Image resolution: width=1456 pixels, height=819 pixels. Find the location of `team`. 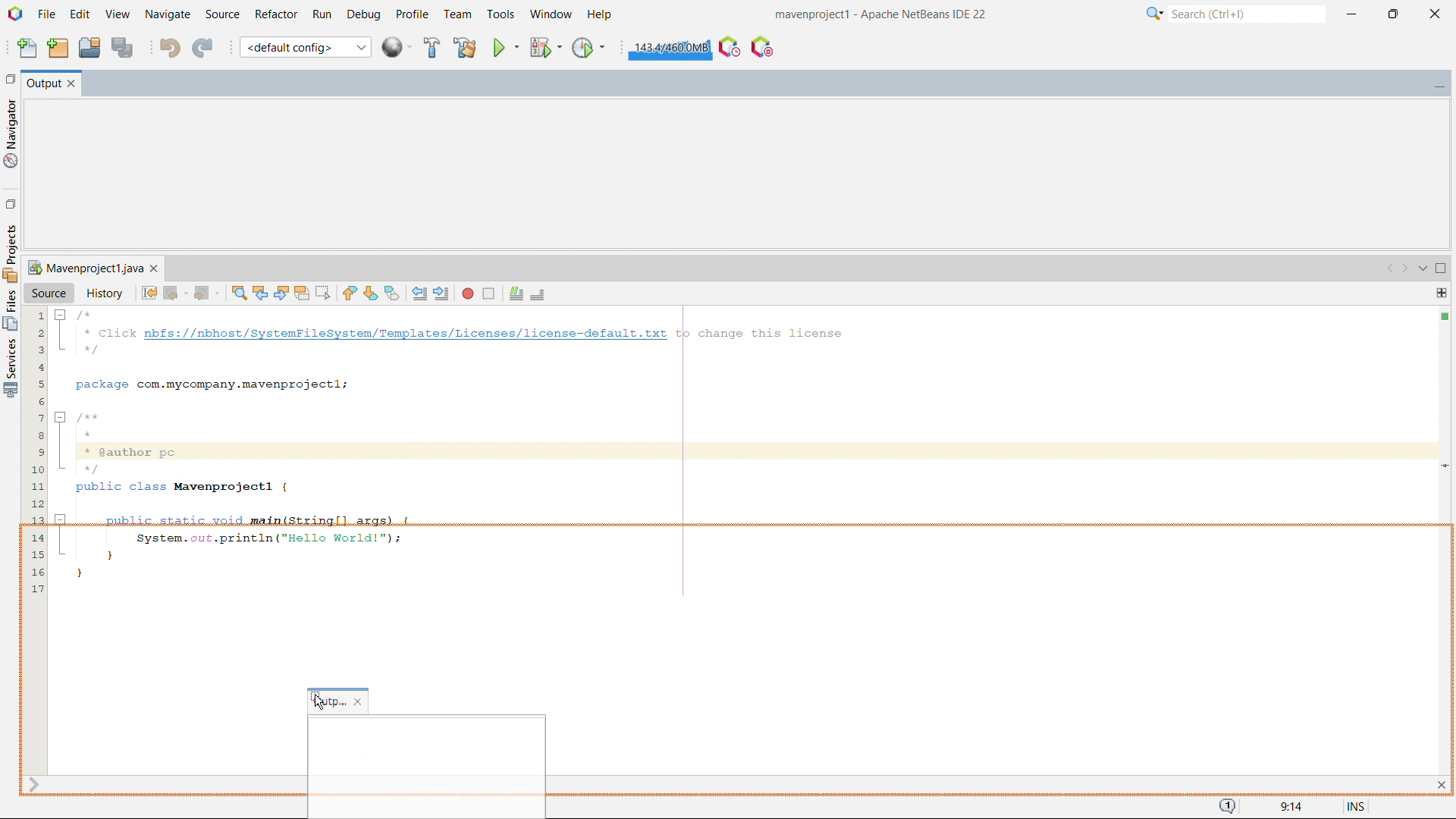

team is located at coordinates (459, 14).